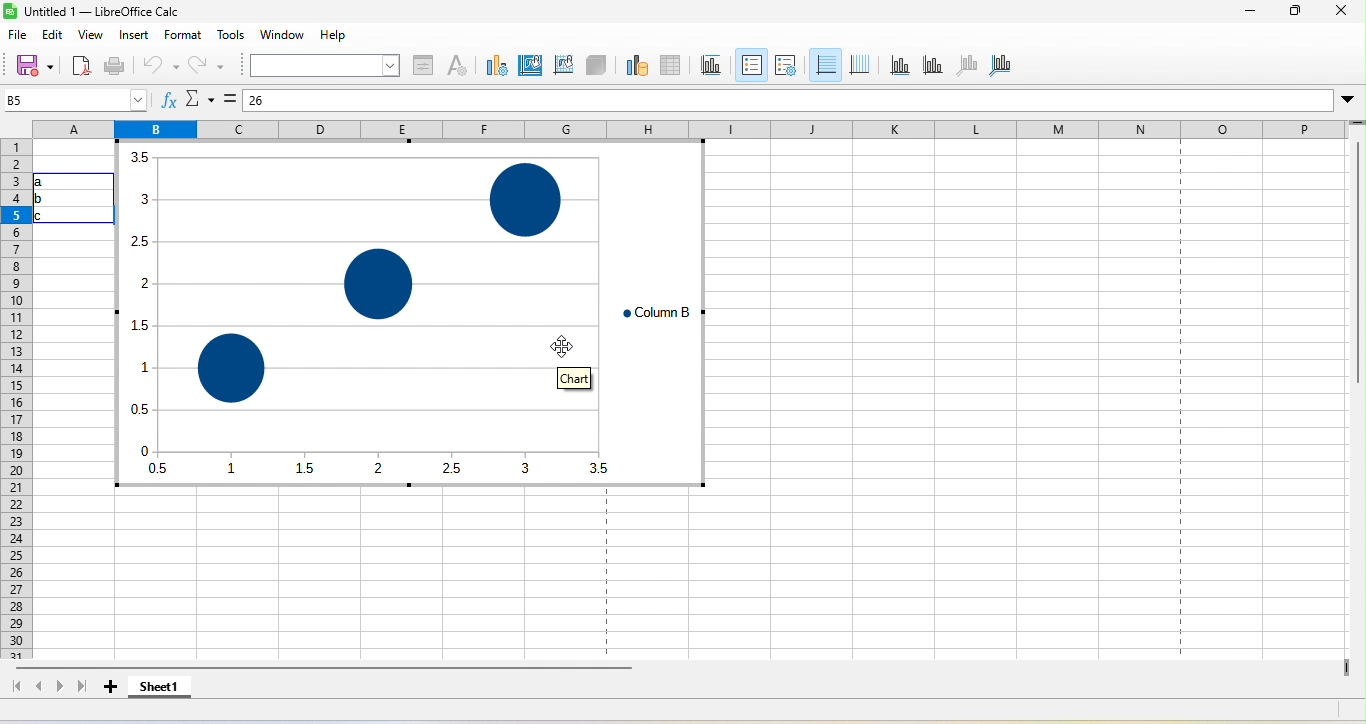 The image size is (1366, 724). I want to click on b, so click(45, 198).